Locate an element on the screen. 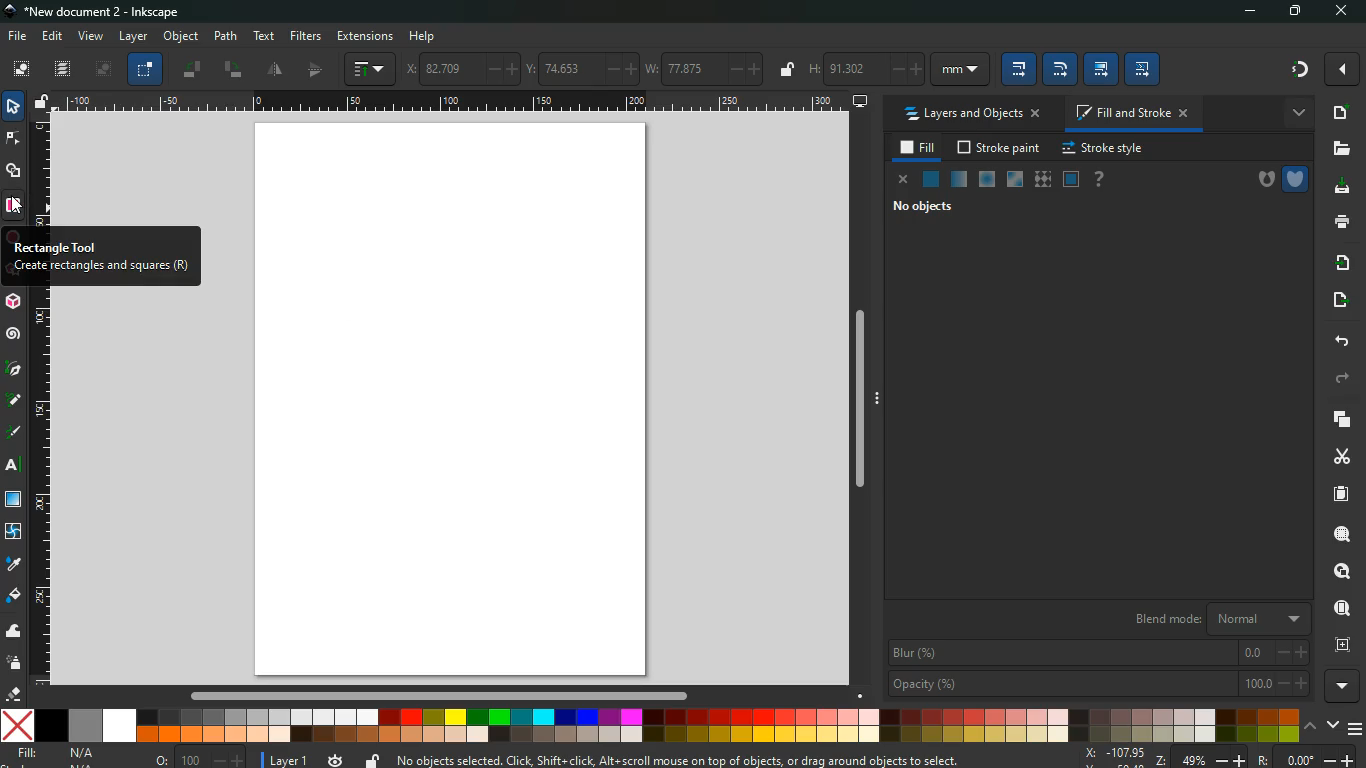 This screenshot has height=768, width=1366. layers and objects is located at coordinates (974, 115).